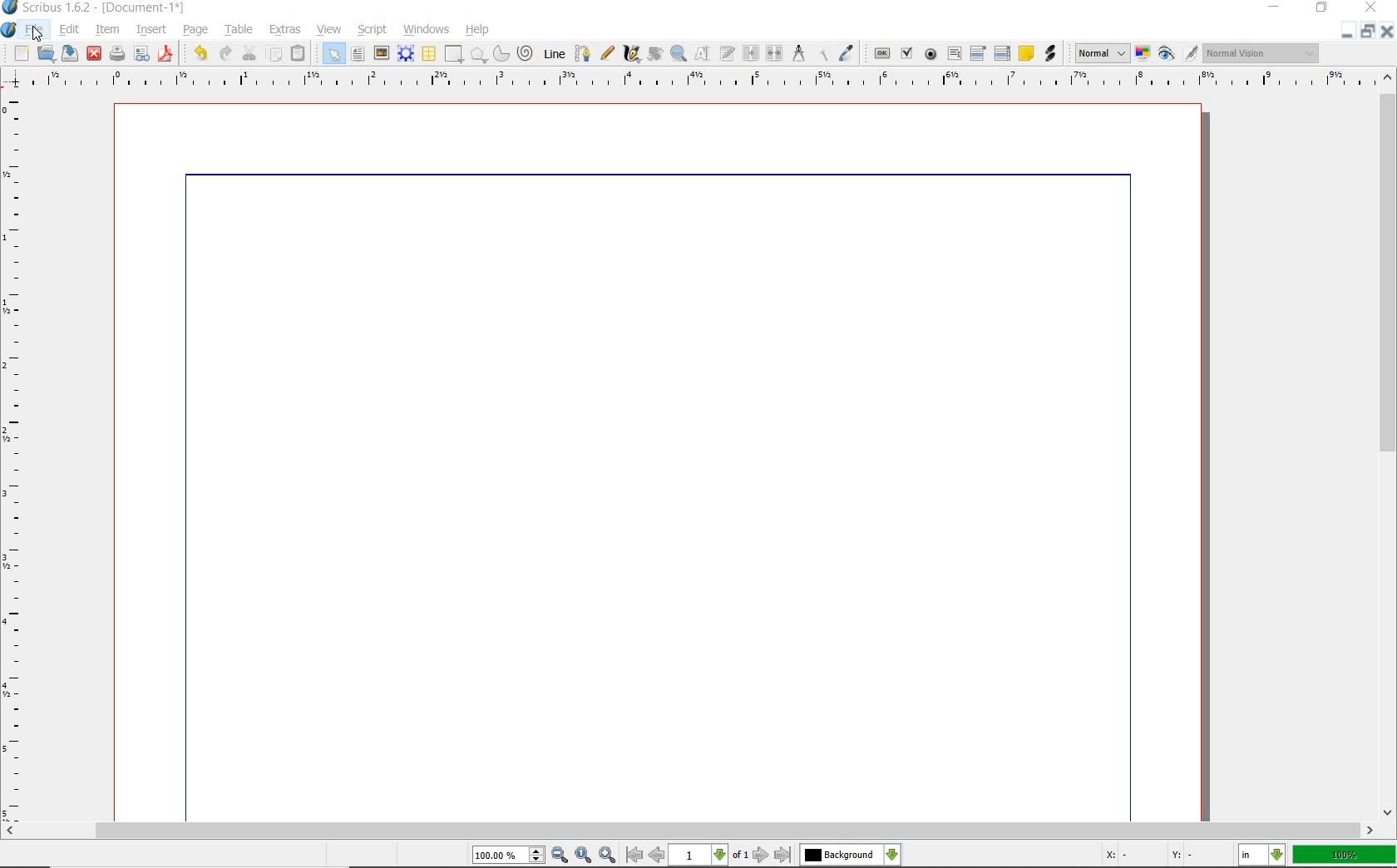 This screenshot has width=1397, height=868. I want to click on edit, so click(70, 29).